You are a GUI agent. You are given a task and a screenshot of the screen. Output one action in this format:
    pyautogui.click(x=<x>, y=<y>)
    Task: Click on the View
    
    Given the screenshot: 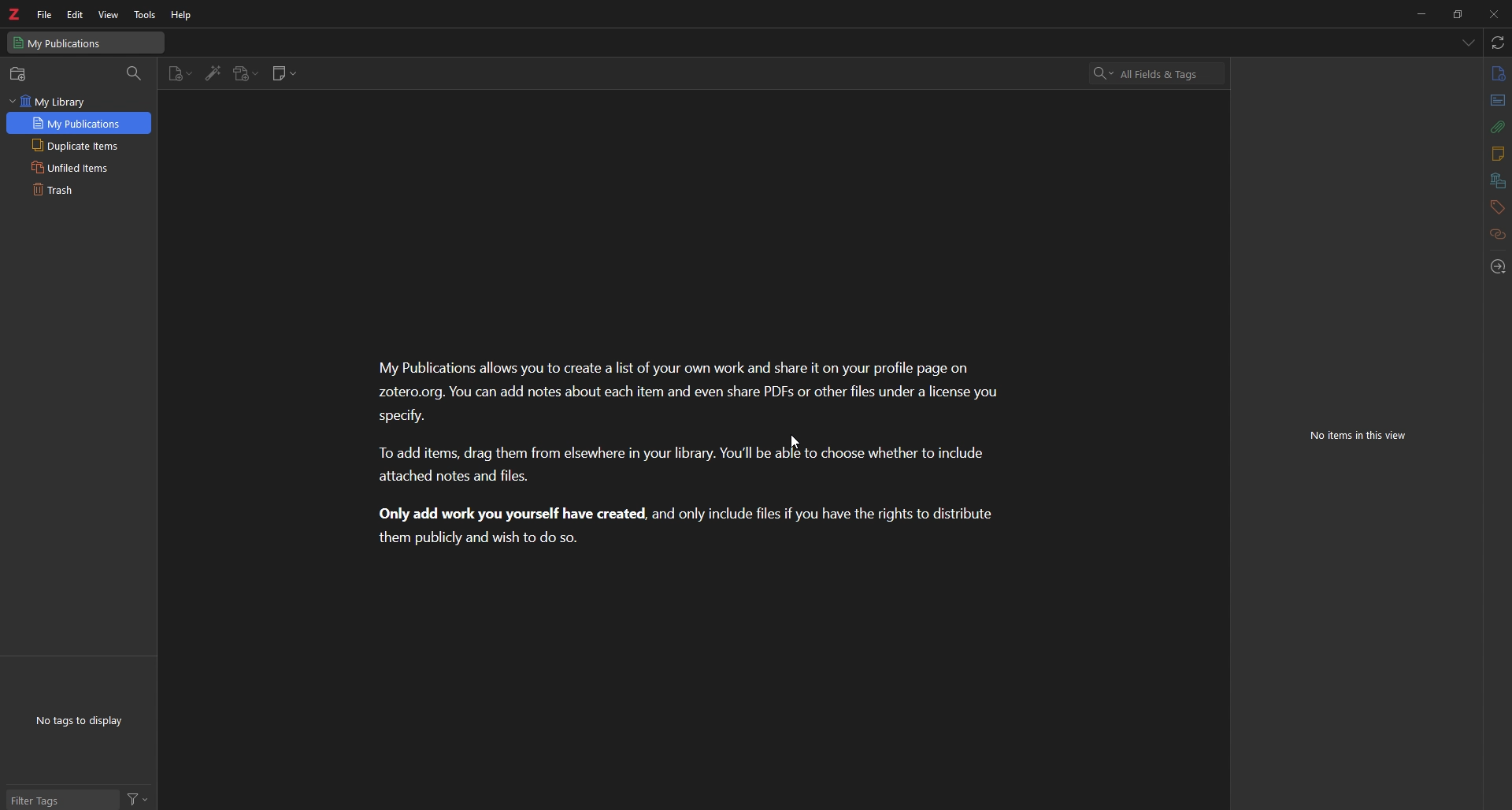 What is the action you would take?
    pyautogui.click(x=109, y=14)
    